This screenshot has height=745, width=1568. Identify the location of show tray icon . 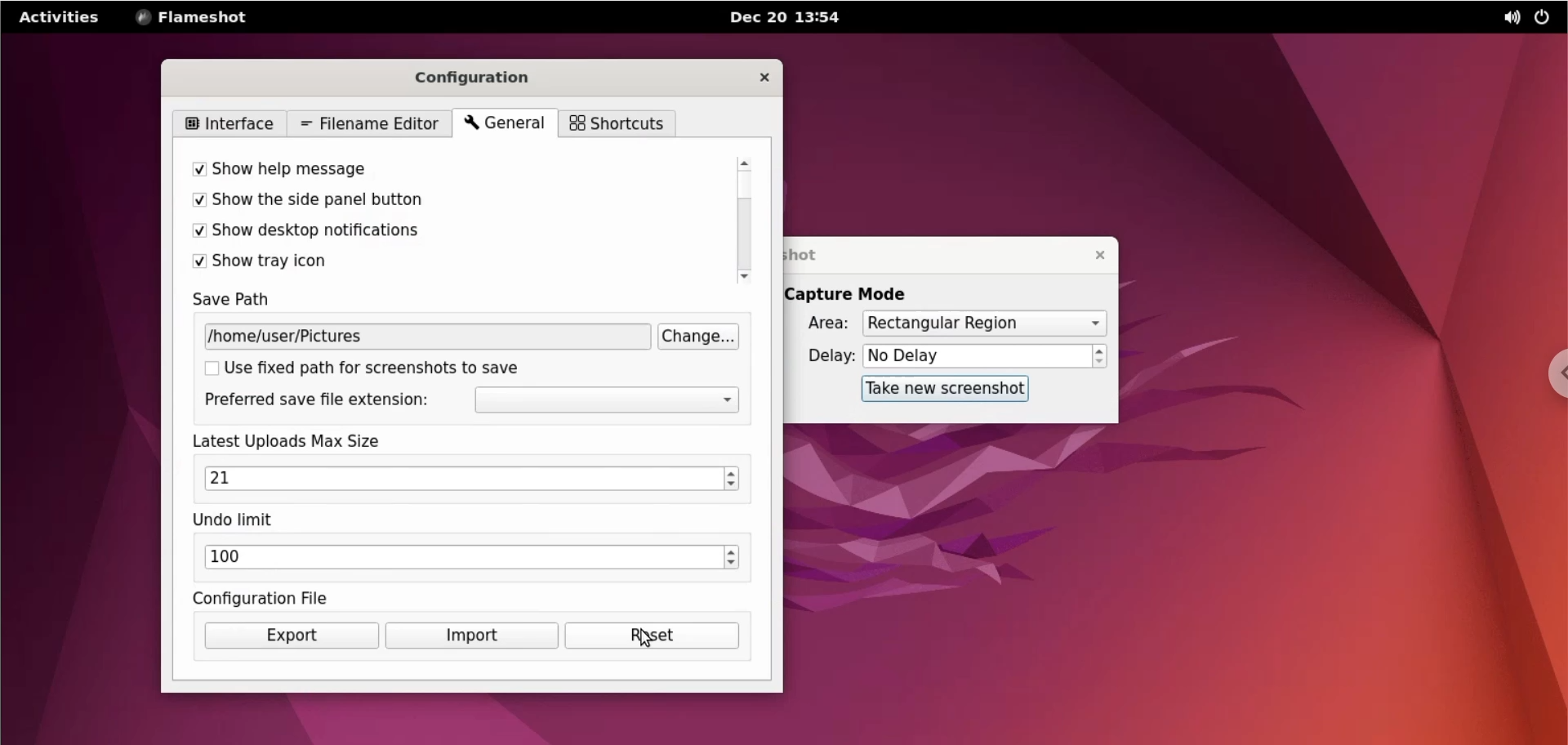
(448, 262).